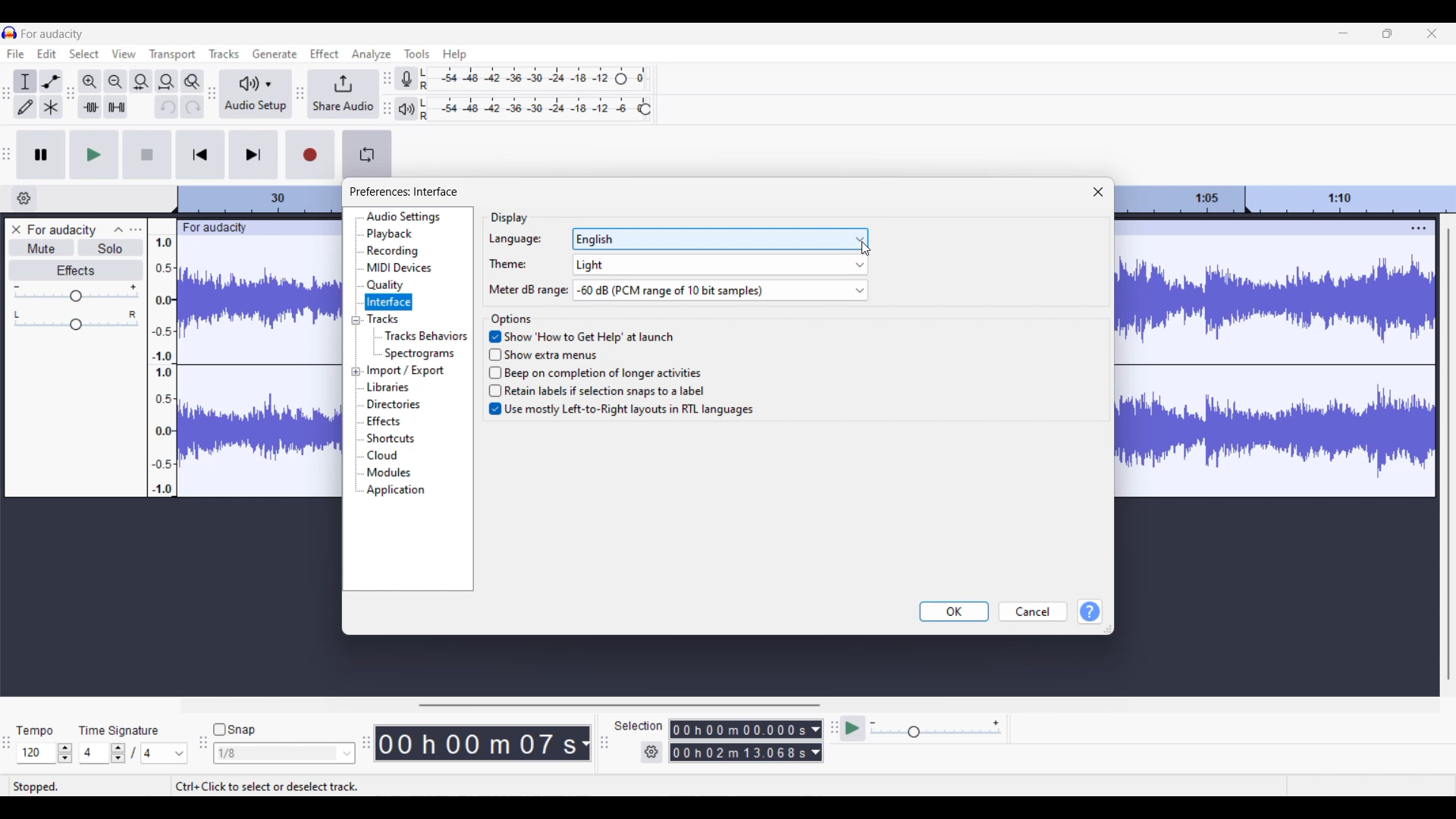  I want to click on Effects, so click(383, 421).